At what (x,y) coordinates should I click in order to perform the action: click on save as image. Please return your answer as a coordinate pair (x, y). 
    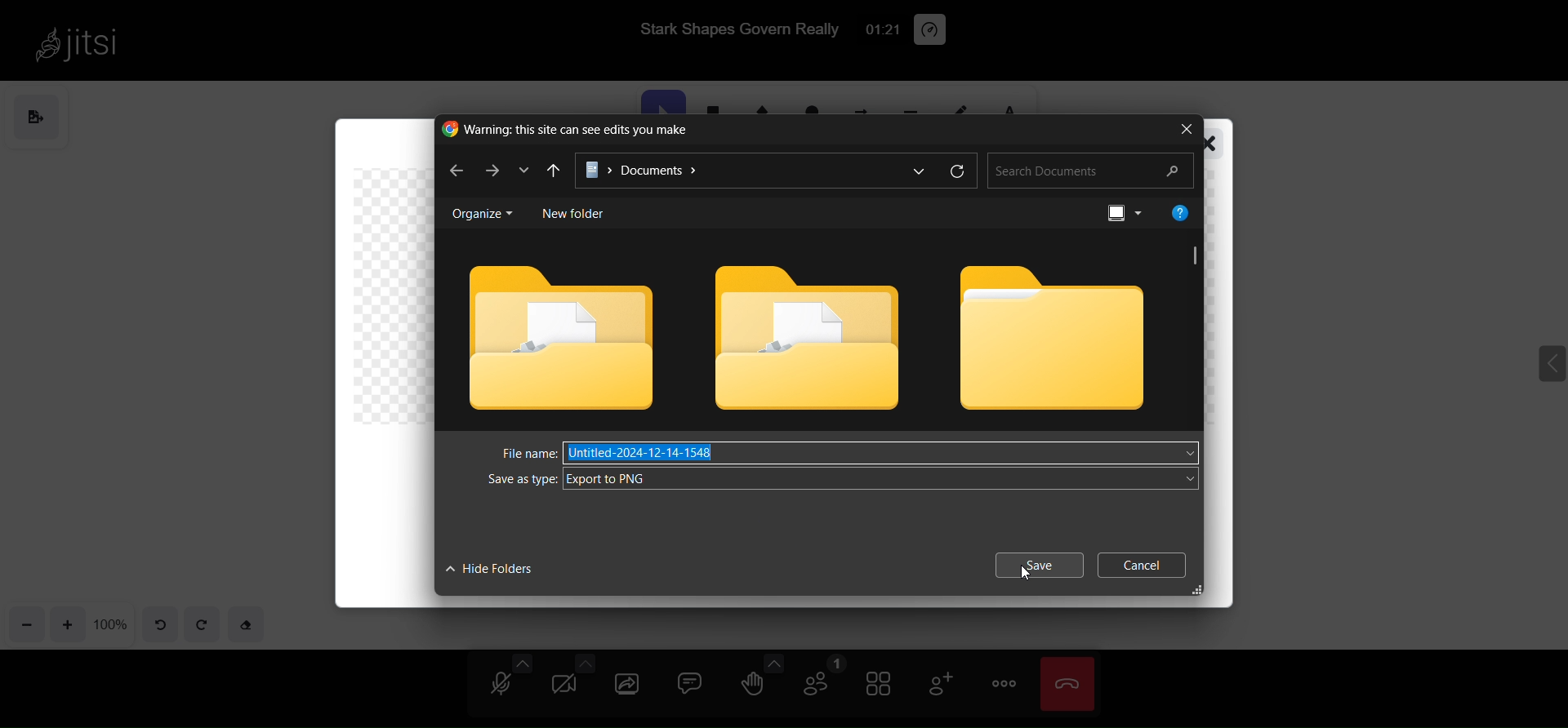
    Looking at the image, I should click on (42, 115).